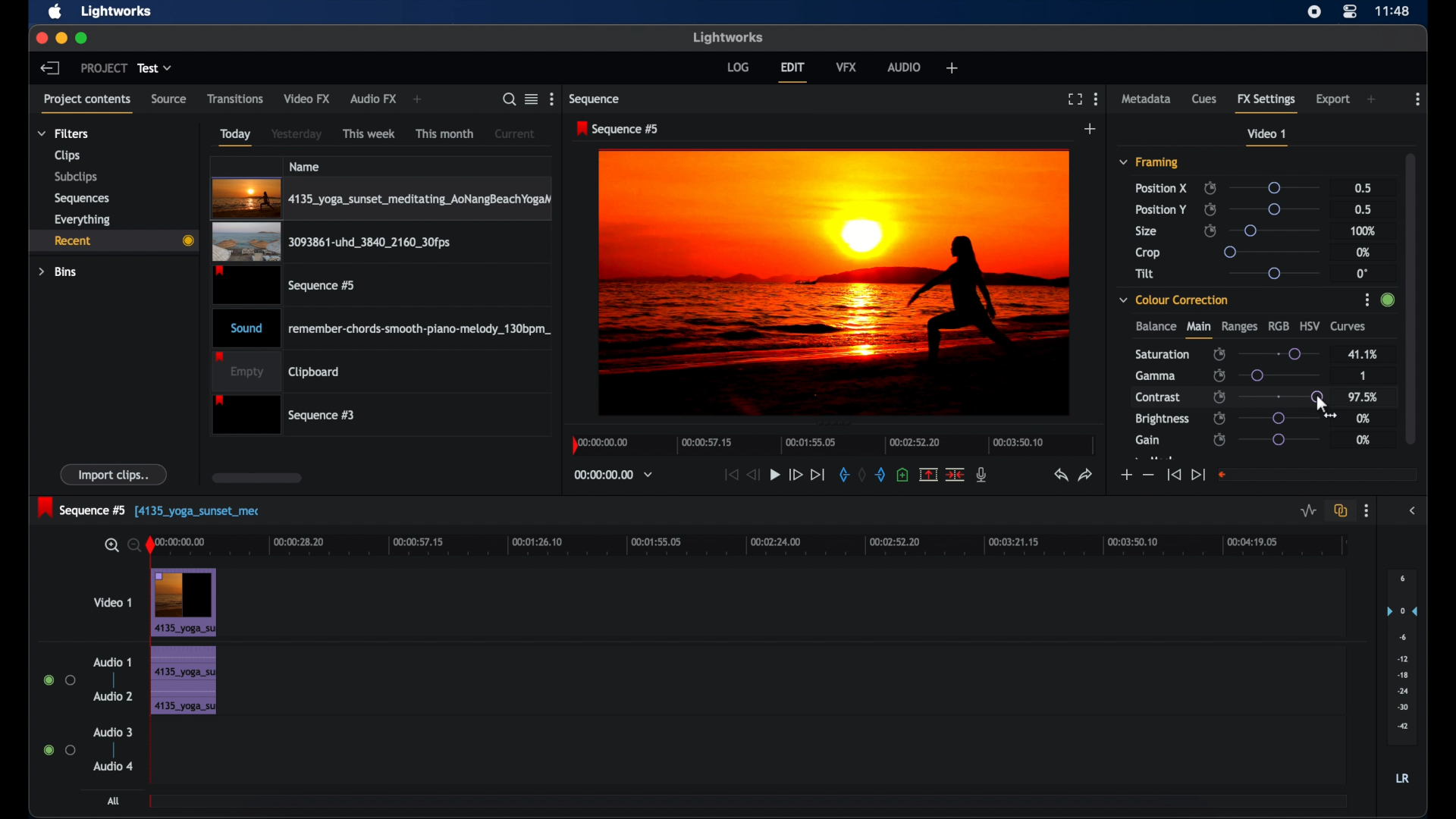 This screenshot has width=1456, height=819. What do you see at coordinates (1198, 474) in the screenshot?
I see `jump to end` at bounding box center [1198, 474].